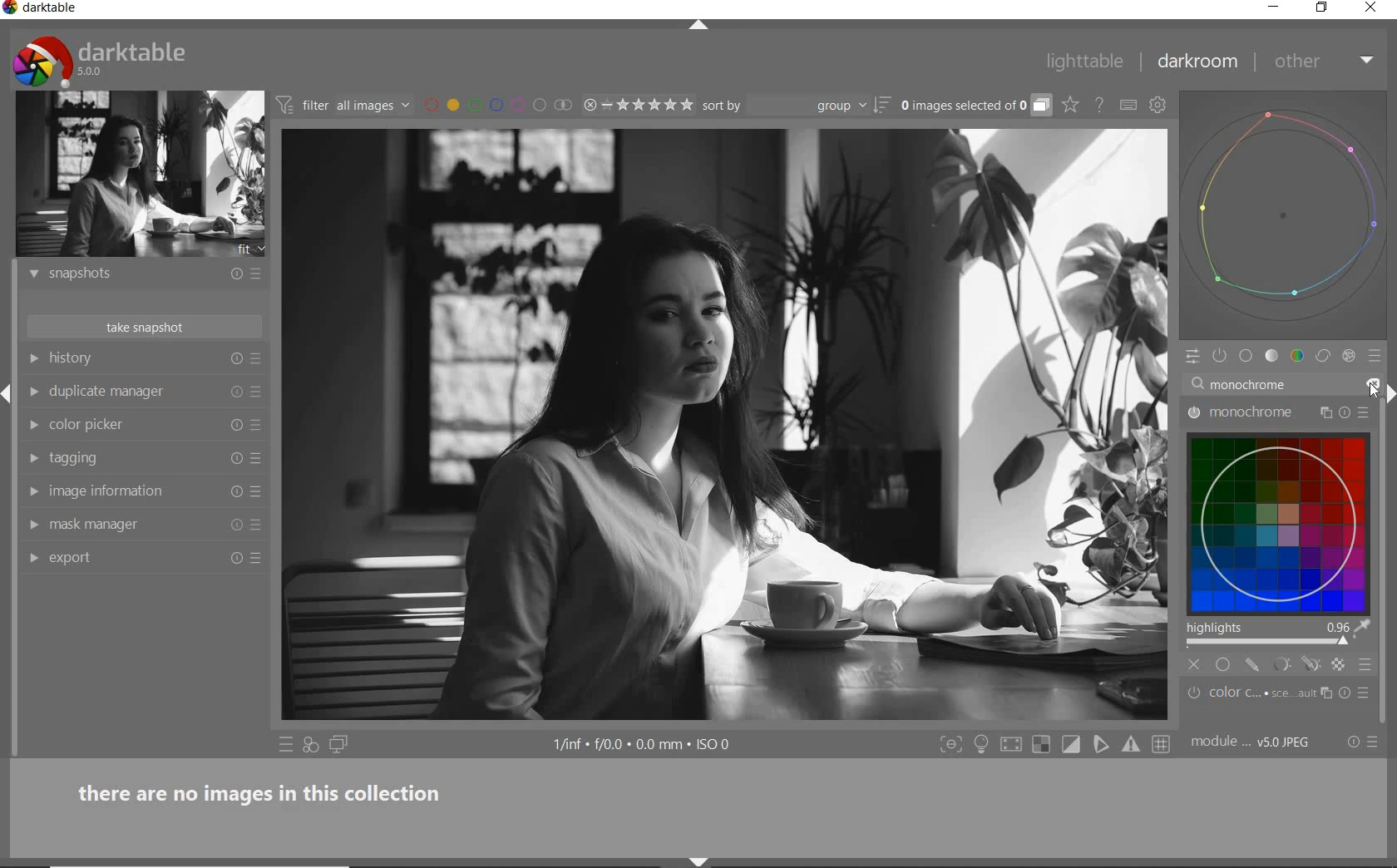  I want to click on sort, so click(795, 106).